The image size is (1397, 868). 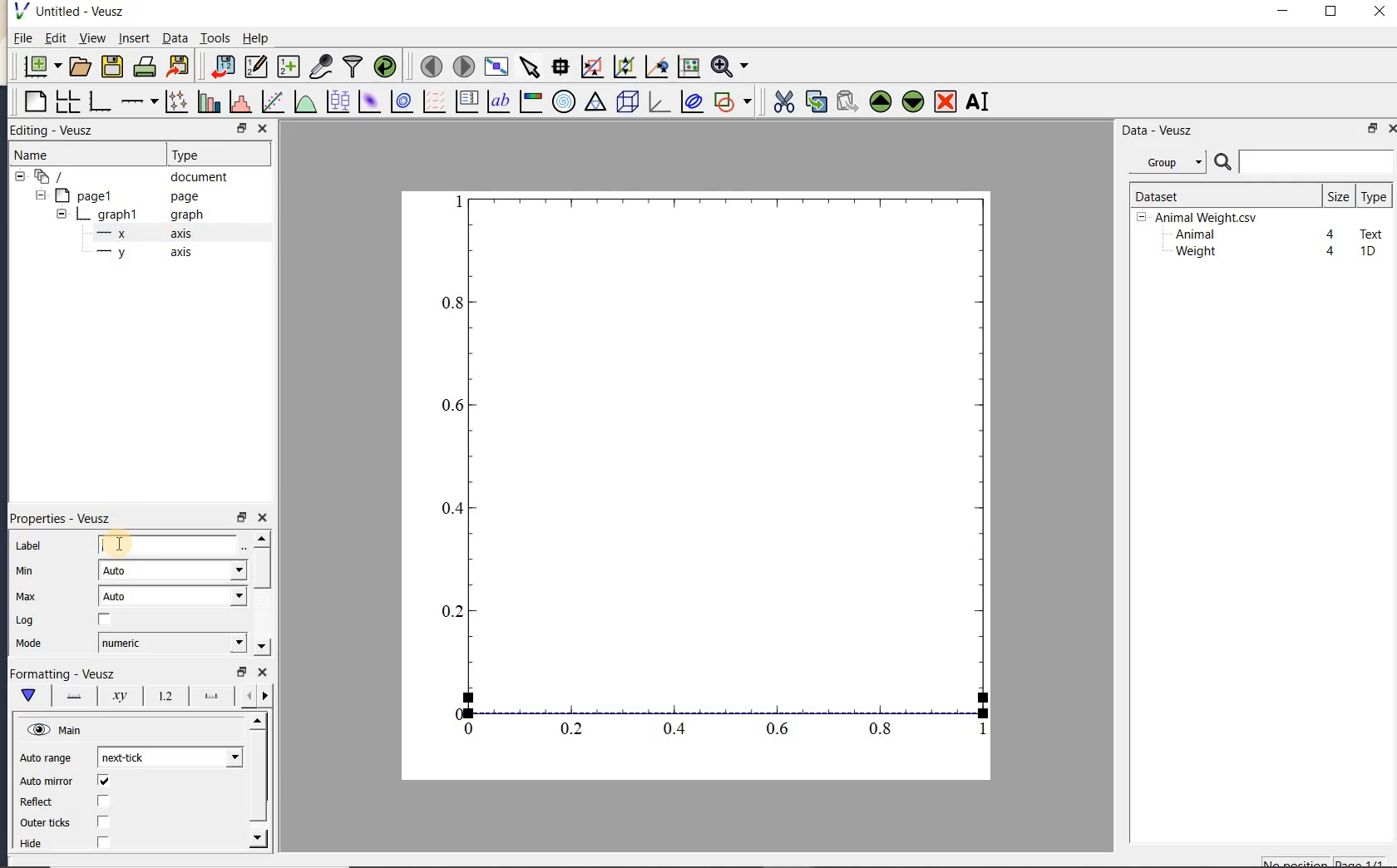 I want to click on Text, so click(x=1372, y=232).